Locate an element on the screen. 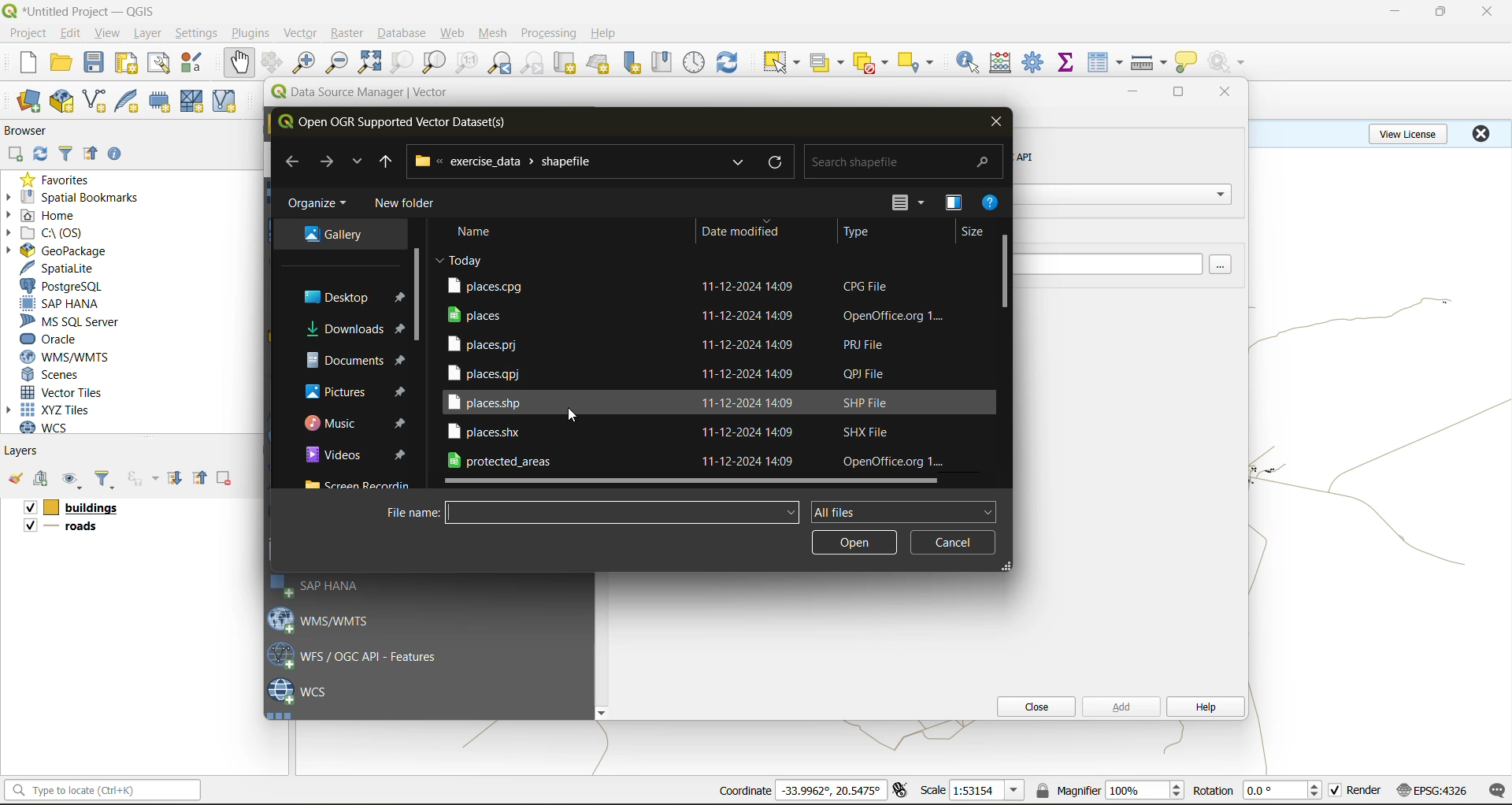 This screenshot has width=1512, height=805. view is located at coordinates (108, 35).